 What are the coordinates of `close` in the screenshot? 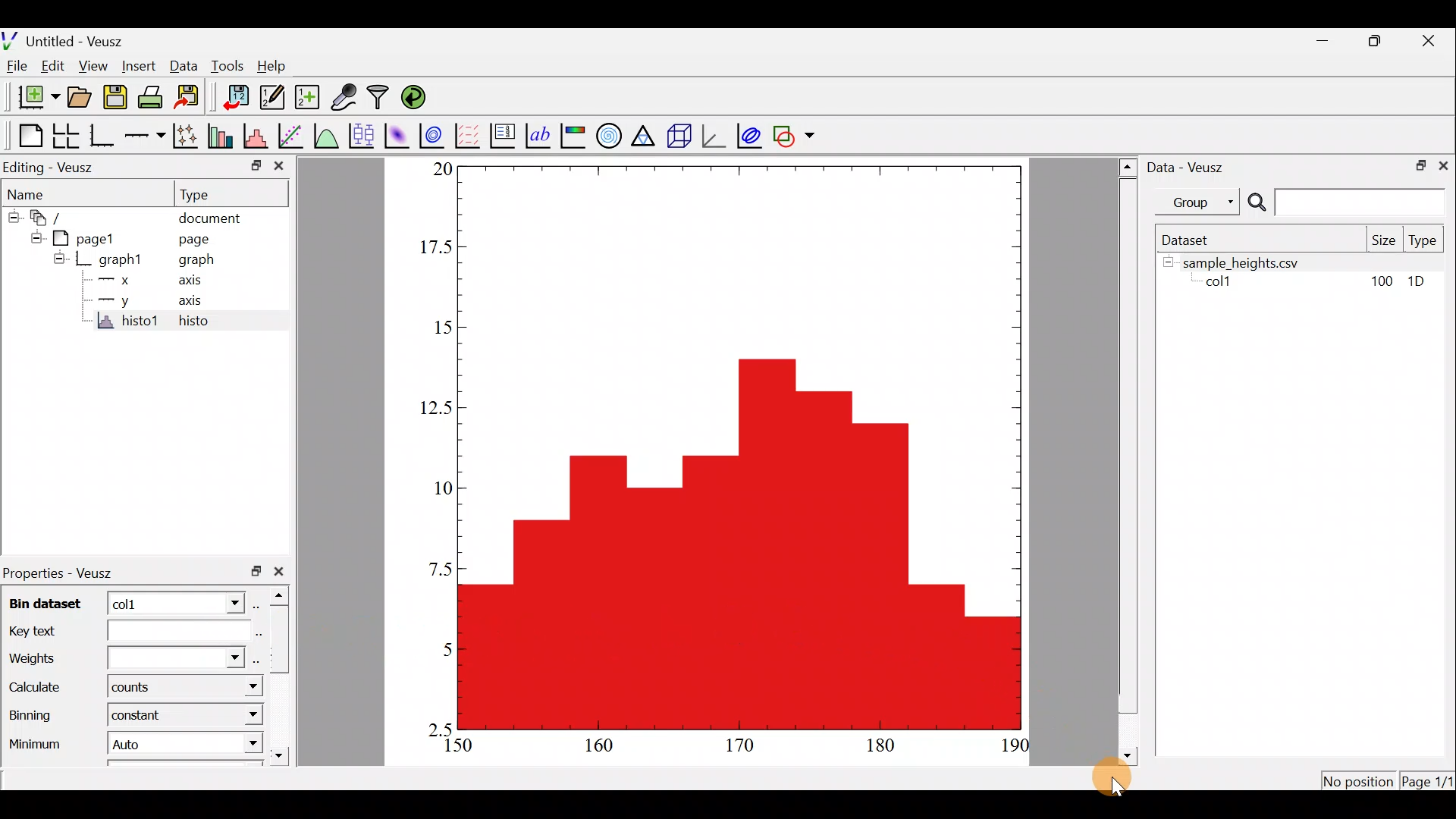 It's located at (1429, 44).